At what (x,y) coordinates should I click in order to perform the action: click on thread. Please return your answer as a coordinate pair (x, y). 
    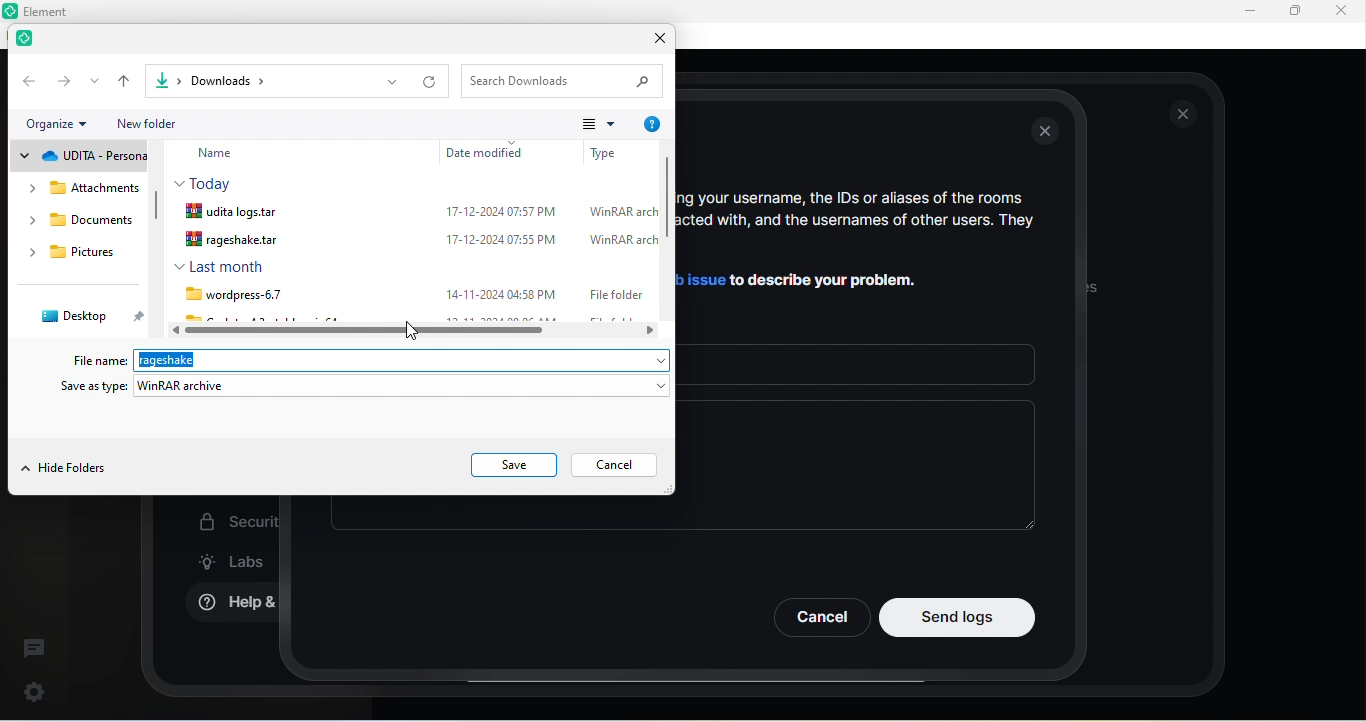
    Looking at the image, I should click on (34, 647).